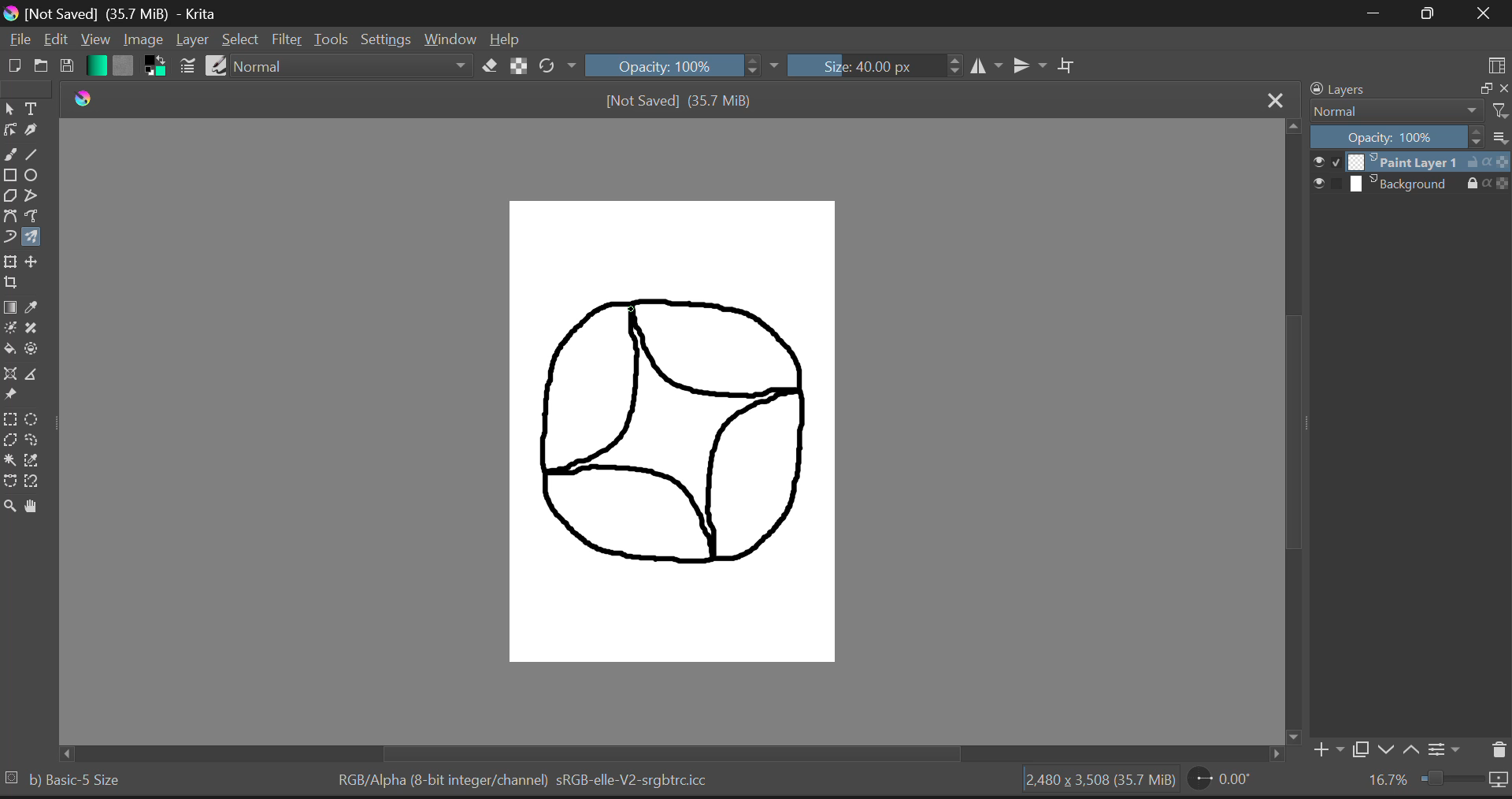  What do you see at coordinates (1295, 736) in the screenshot?
I see `` at bounding box center [1295, 736].